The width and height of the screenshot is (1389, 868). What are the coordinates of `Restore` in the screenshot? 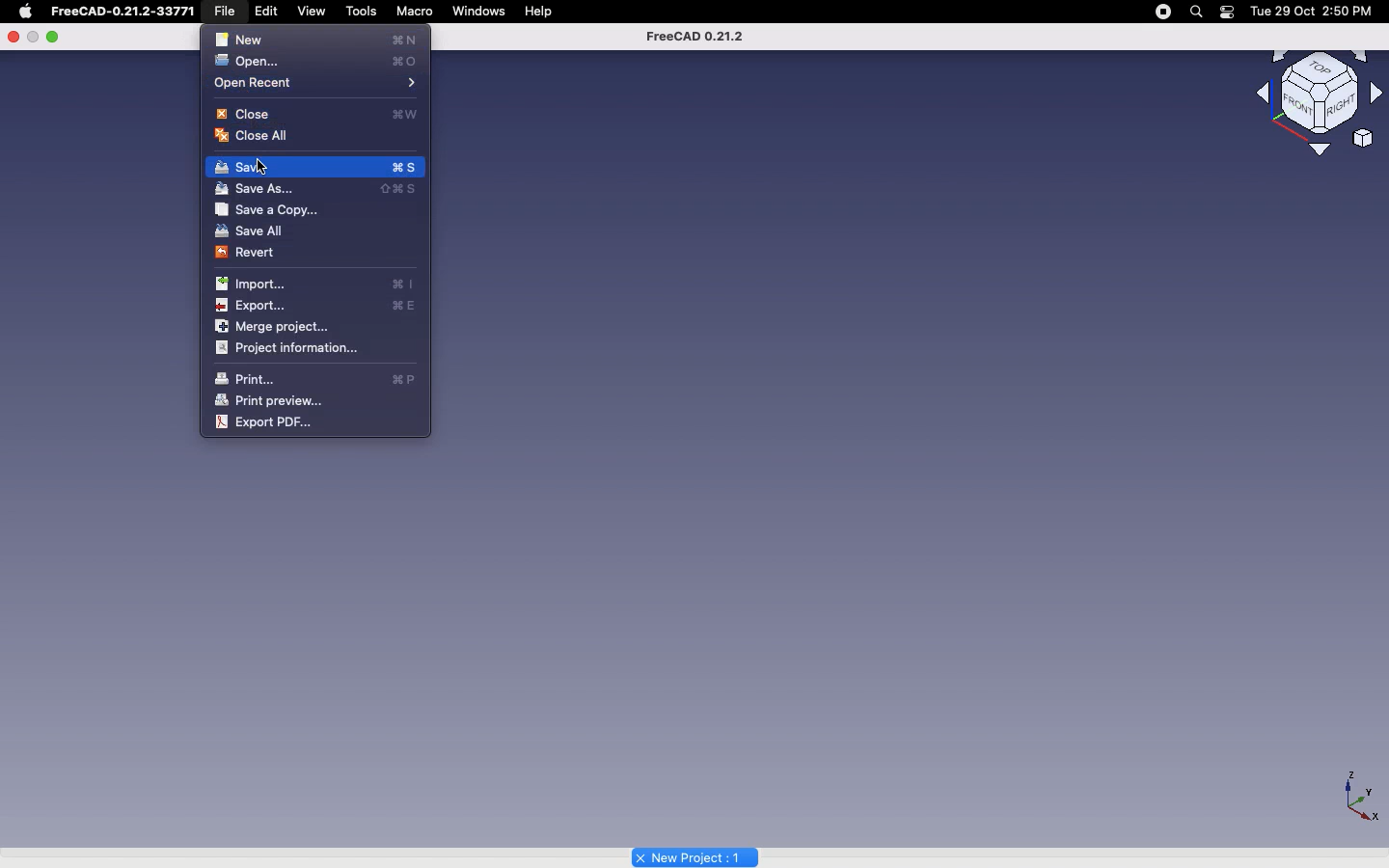 It's located at (33, 38).